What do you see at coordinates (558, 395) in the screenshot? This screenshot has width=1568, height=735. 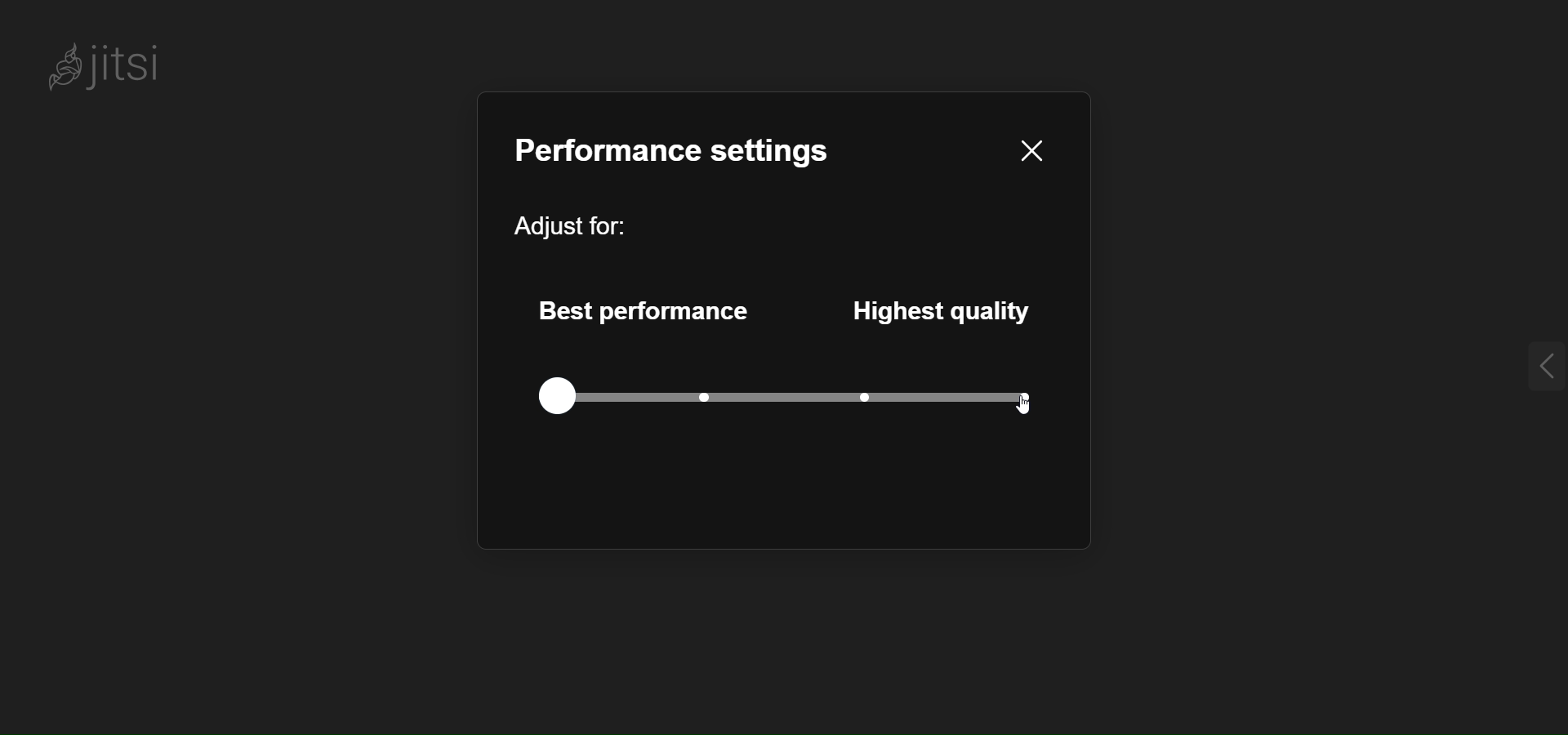 I see `current level` at bounding box center [558, 395].